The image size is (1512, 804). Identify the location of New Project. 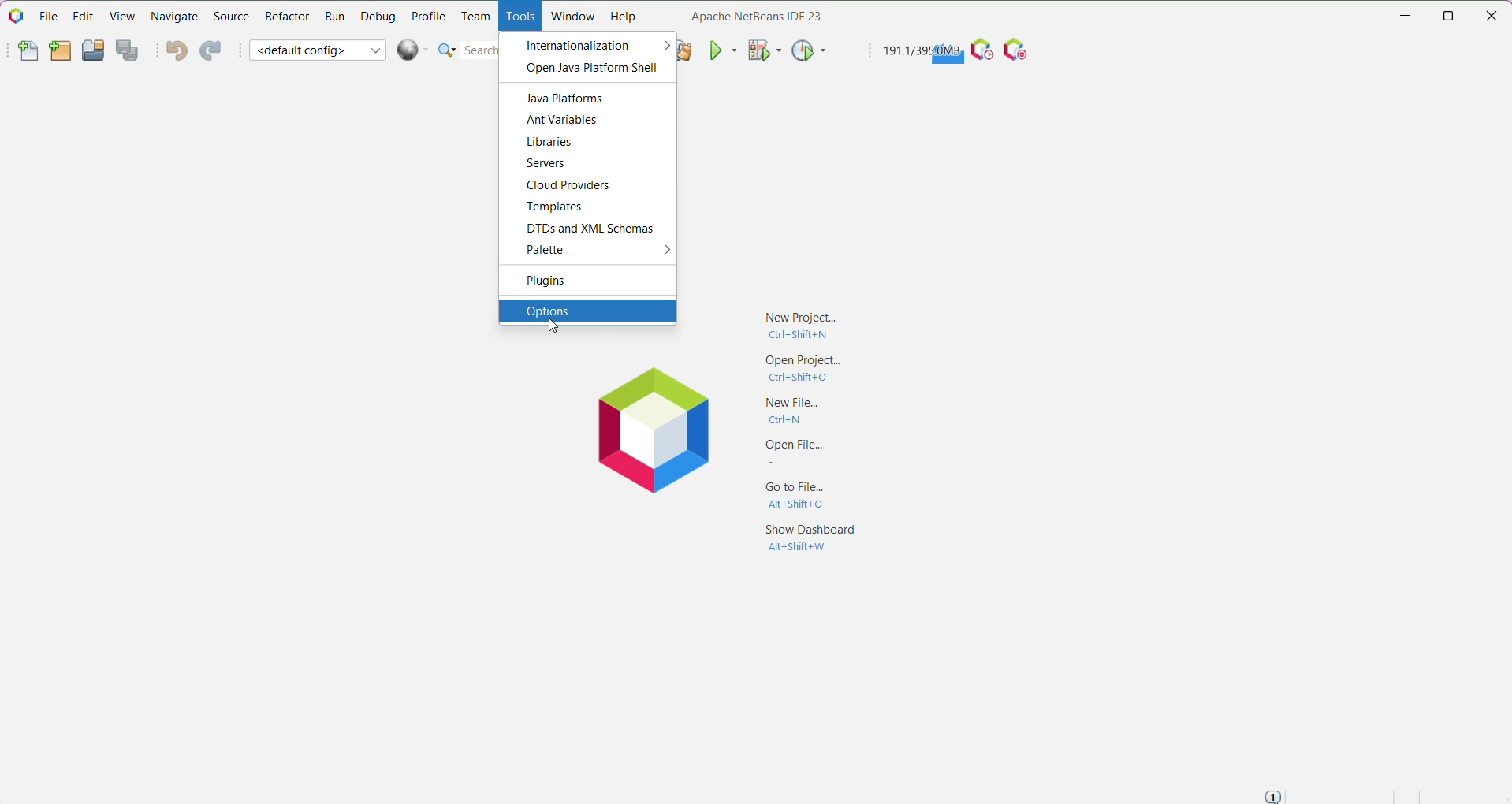
(800, 323).